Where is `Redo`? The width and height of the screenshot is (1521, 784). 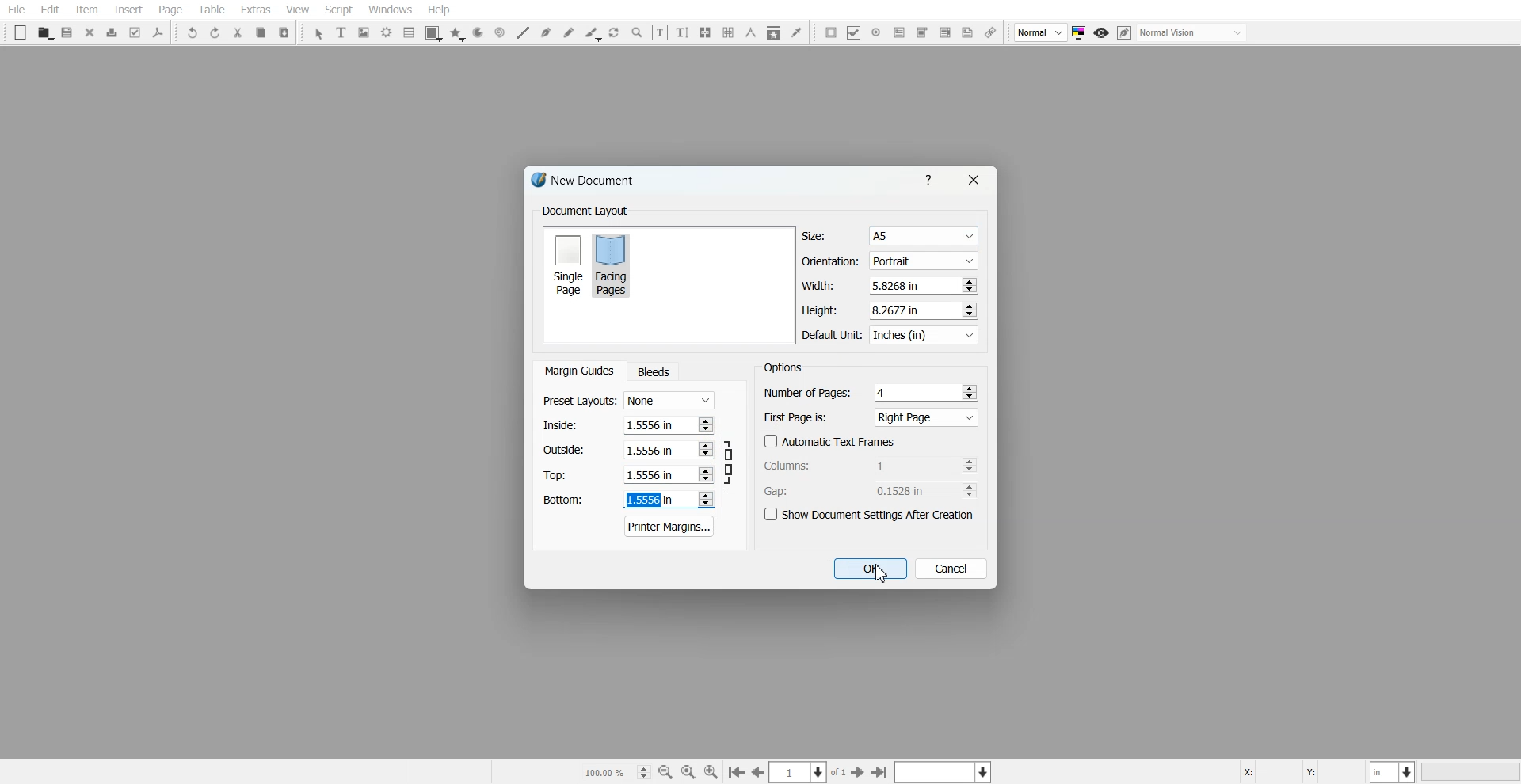
Redo is located at coordinates (215, 32).